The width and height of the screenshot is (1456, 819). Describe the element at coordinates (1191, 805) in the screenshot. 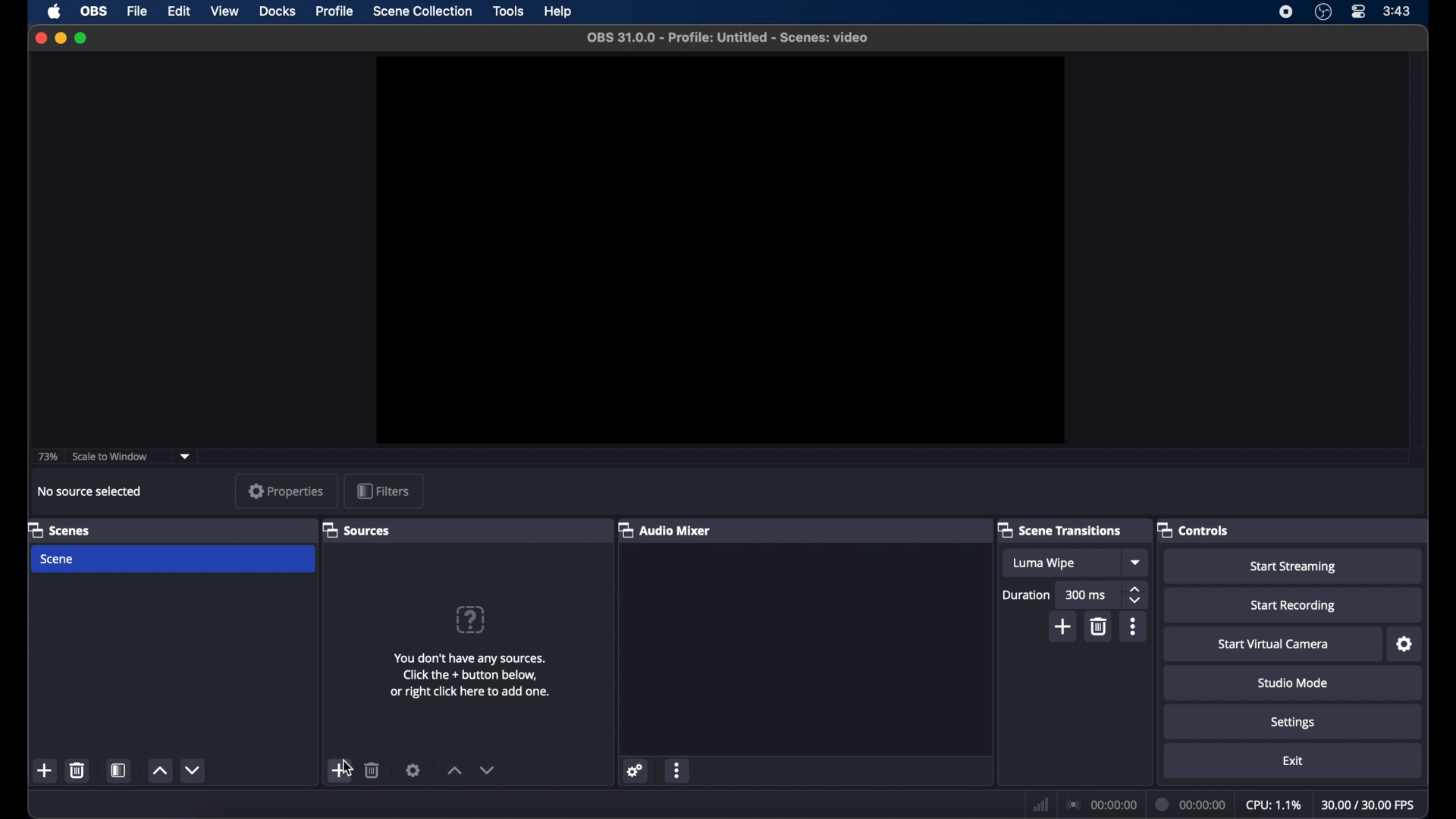

I see `00:00:00` at that location.